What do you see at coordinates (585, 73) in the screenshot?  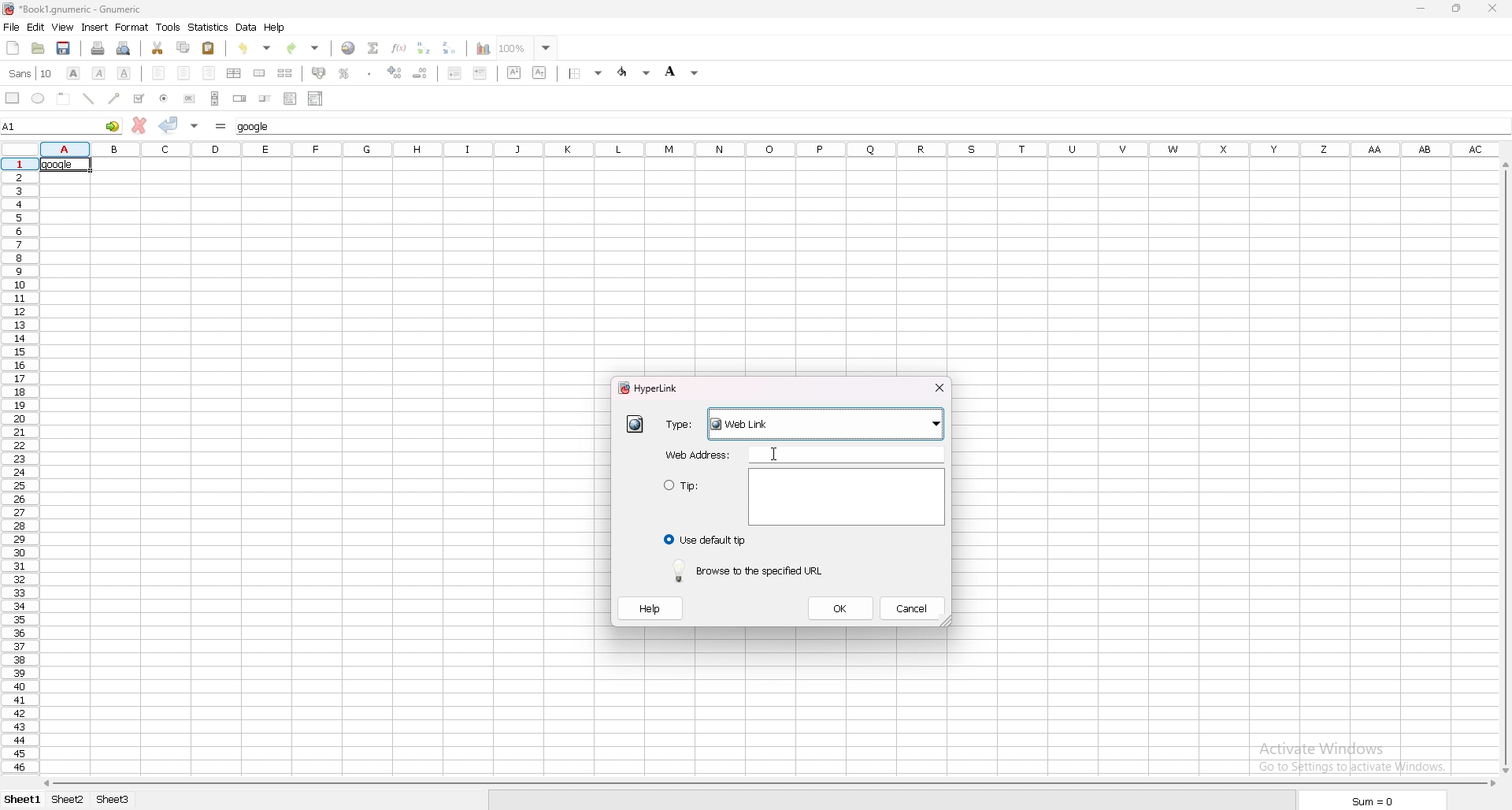 I see `border` at bounding box center [585, 73].